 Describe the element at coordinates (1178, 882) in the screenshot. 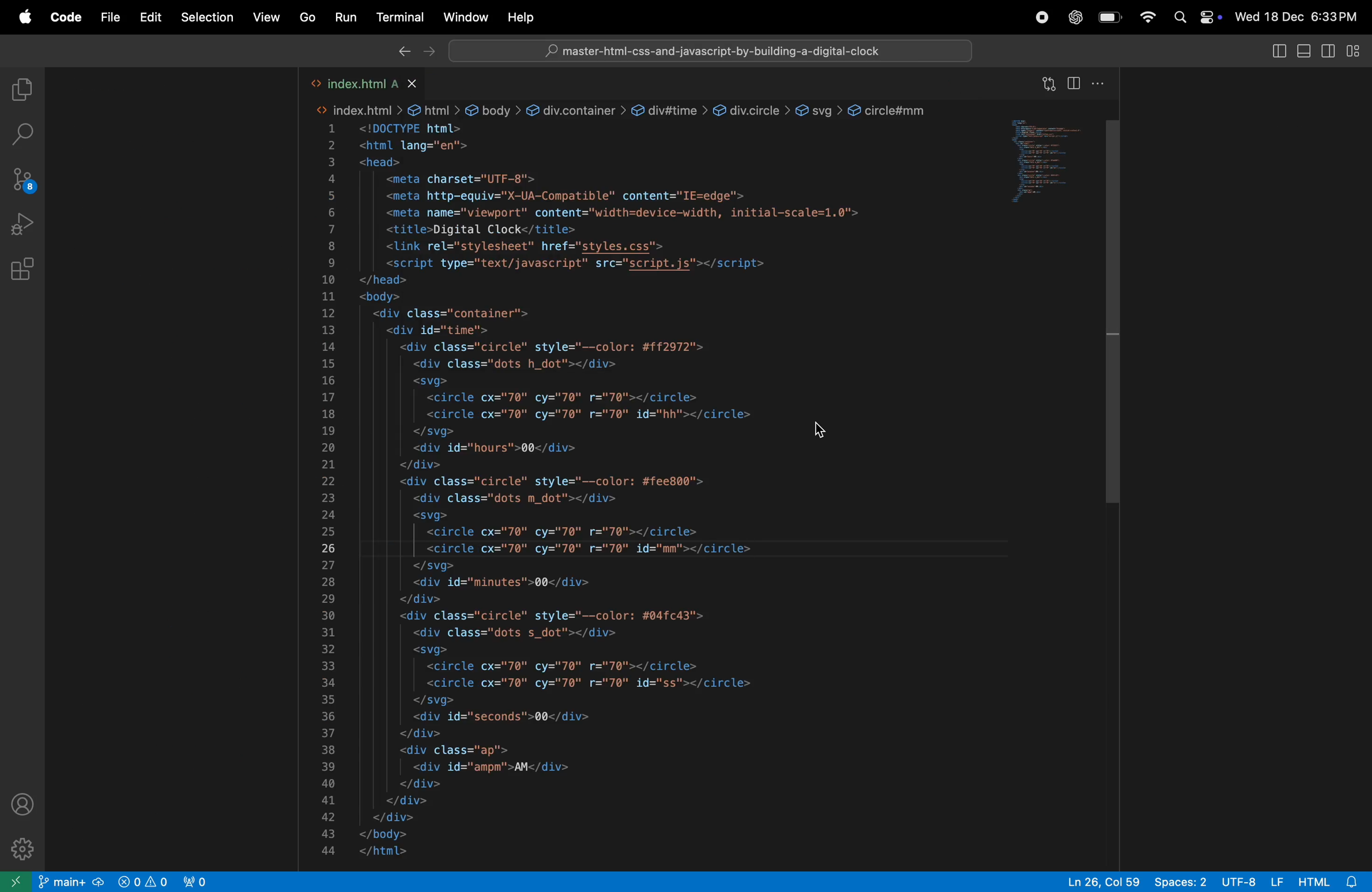

I see `spaces: 2` at that location.